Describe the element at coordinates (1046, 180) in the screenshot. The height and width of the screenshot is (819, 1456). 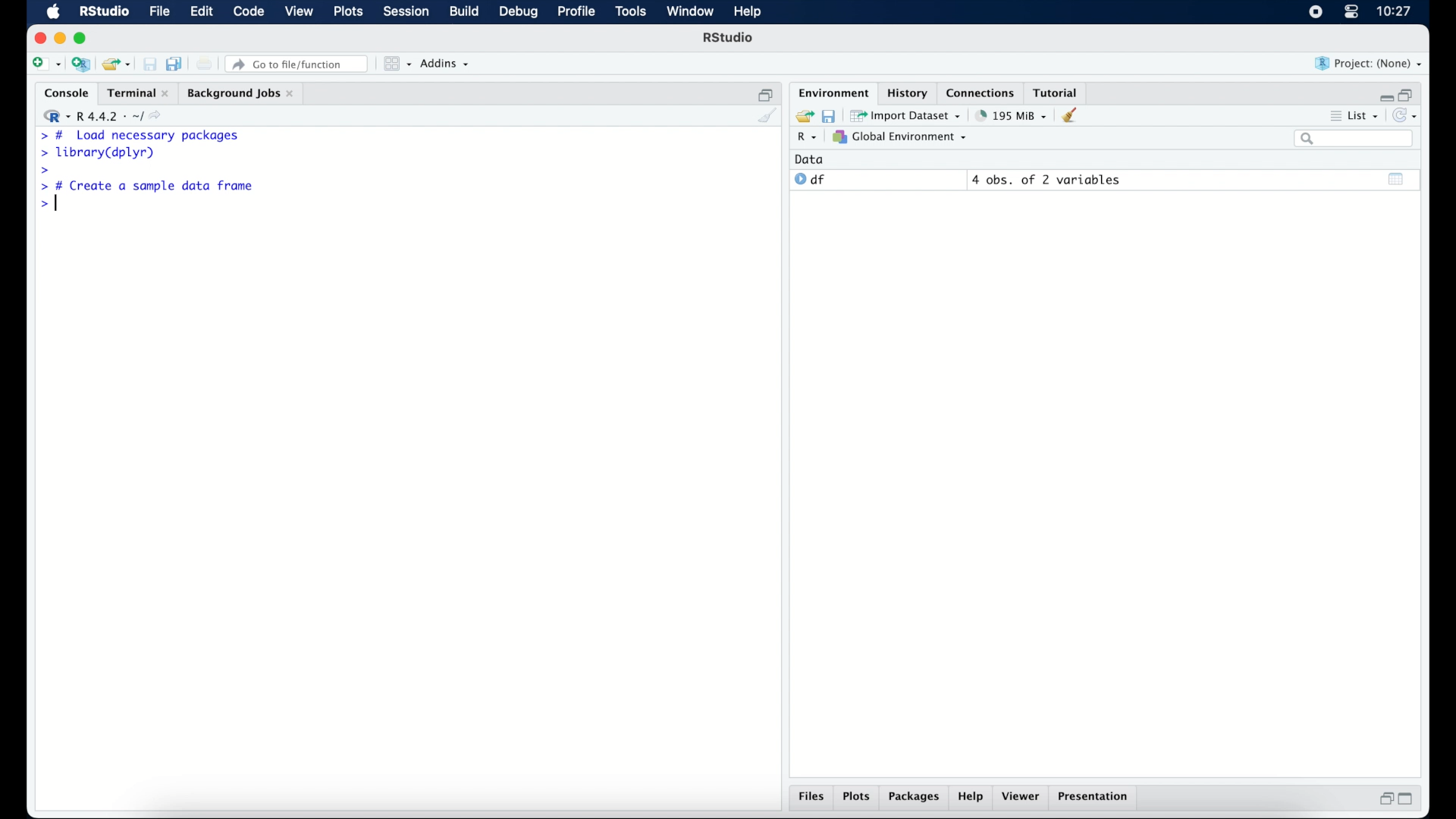
I see `4 obs, of 2 variables` at that location.